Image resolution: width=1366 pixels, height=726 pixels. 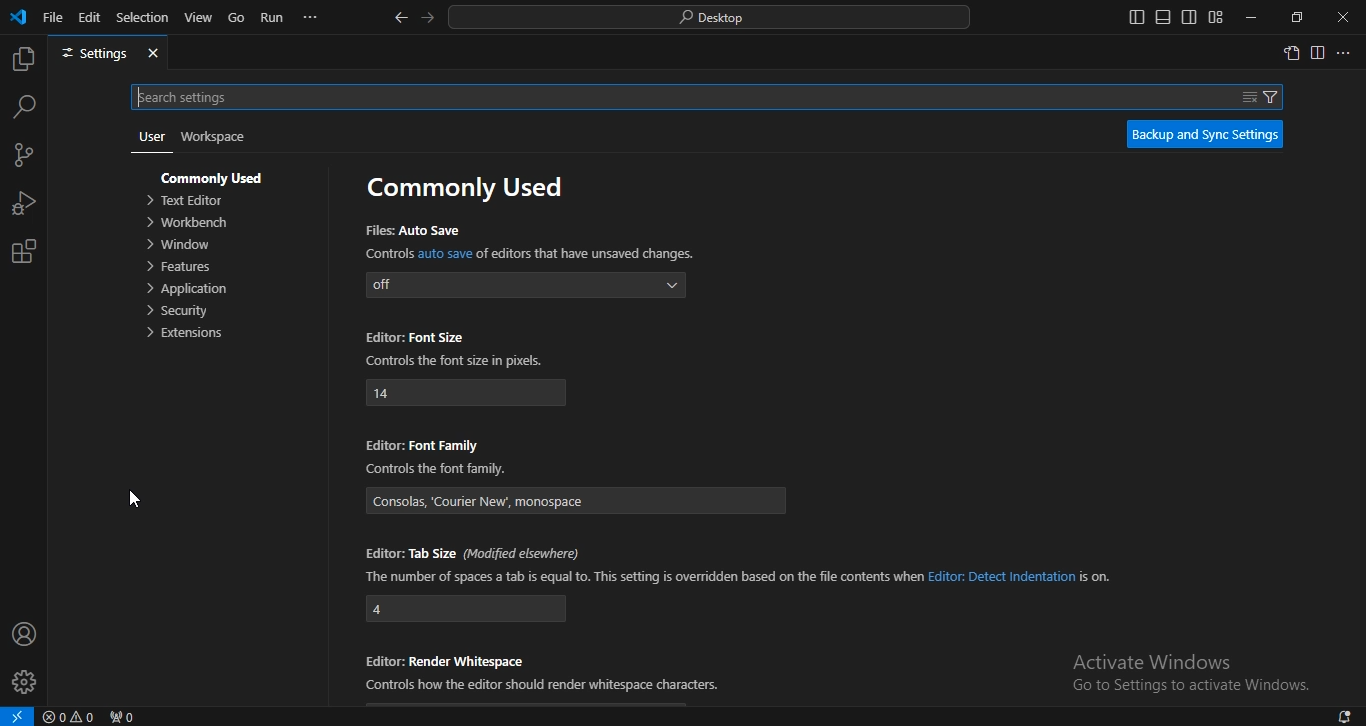 I want to click on editor : font family, so click(x=439, y=468).